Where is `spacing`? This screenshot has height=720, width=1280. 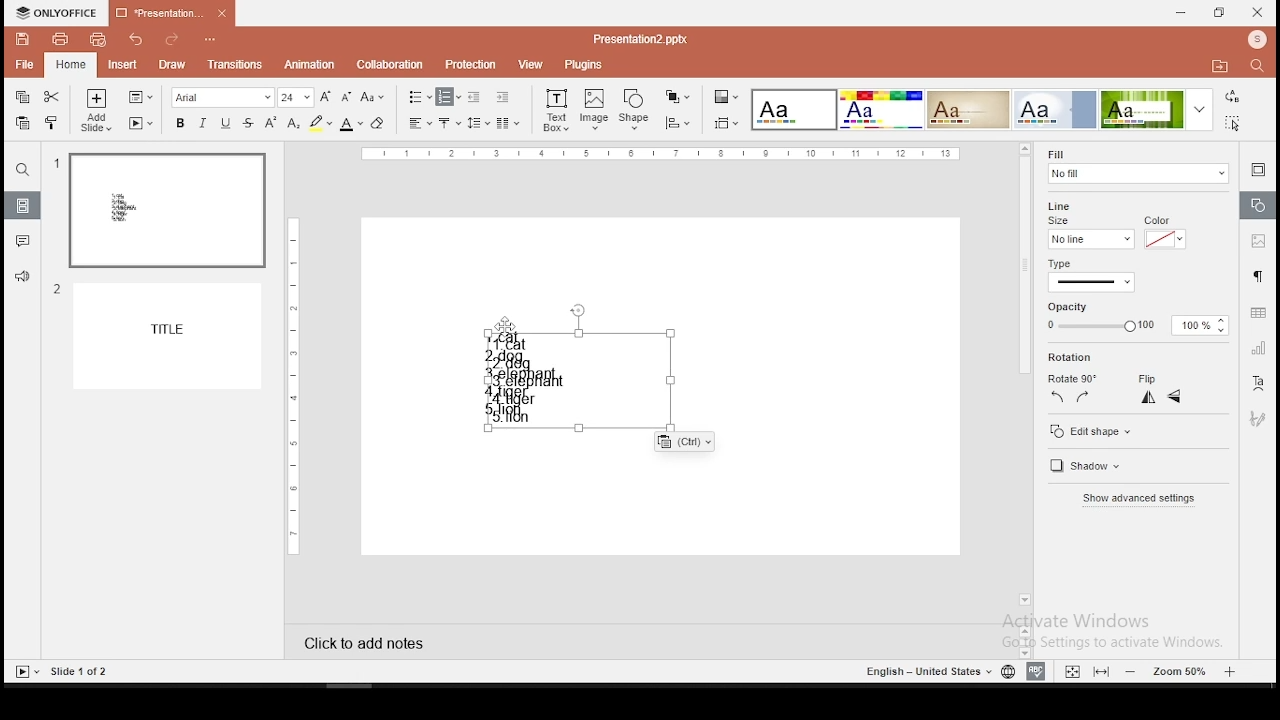
spacing is located at coordinates (479, 122).